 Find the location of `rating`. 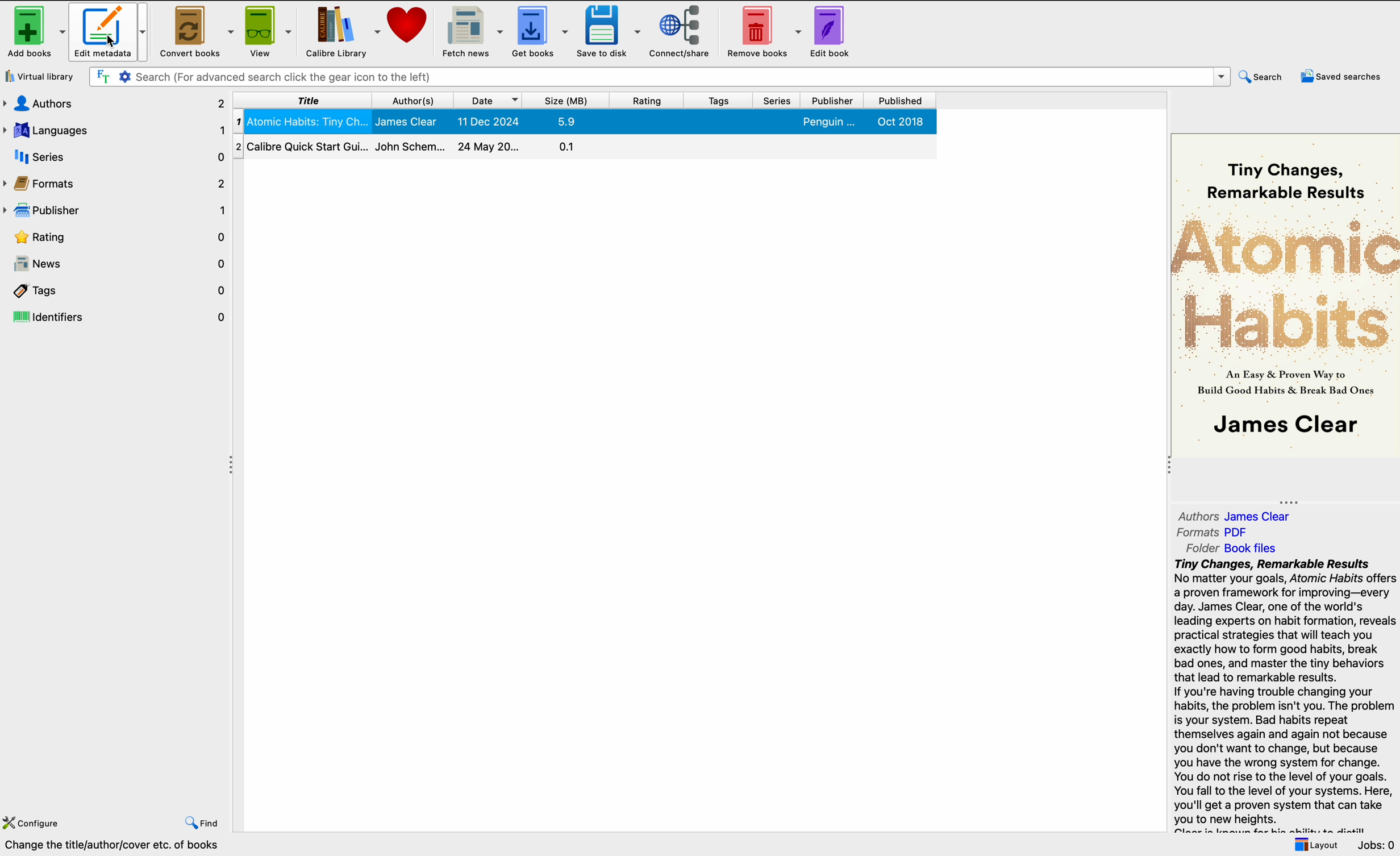

rating is located at coordinates (647, 100).